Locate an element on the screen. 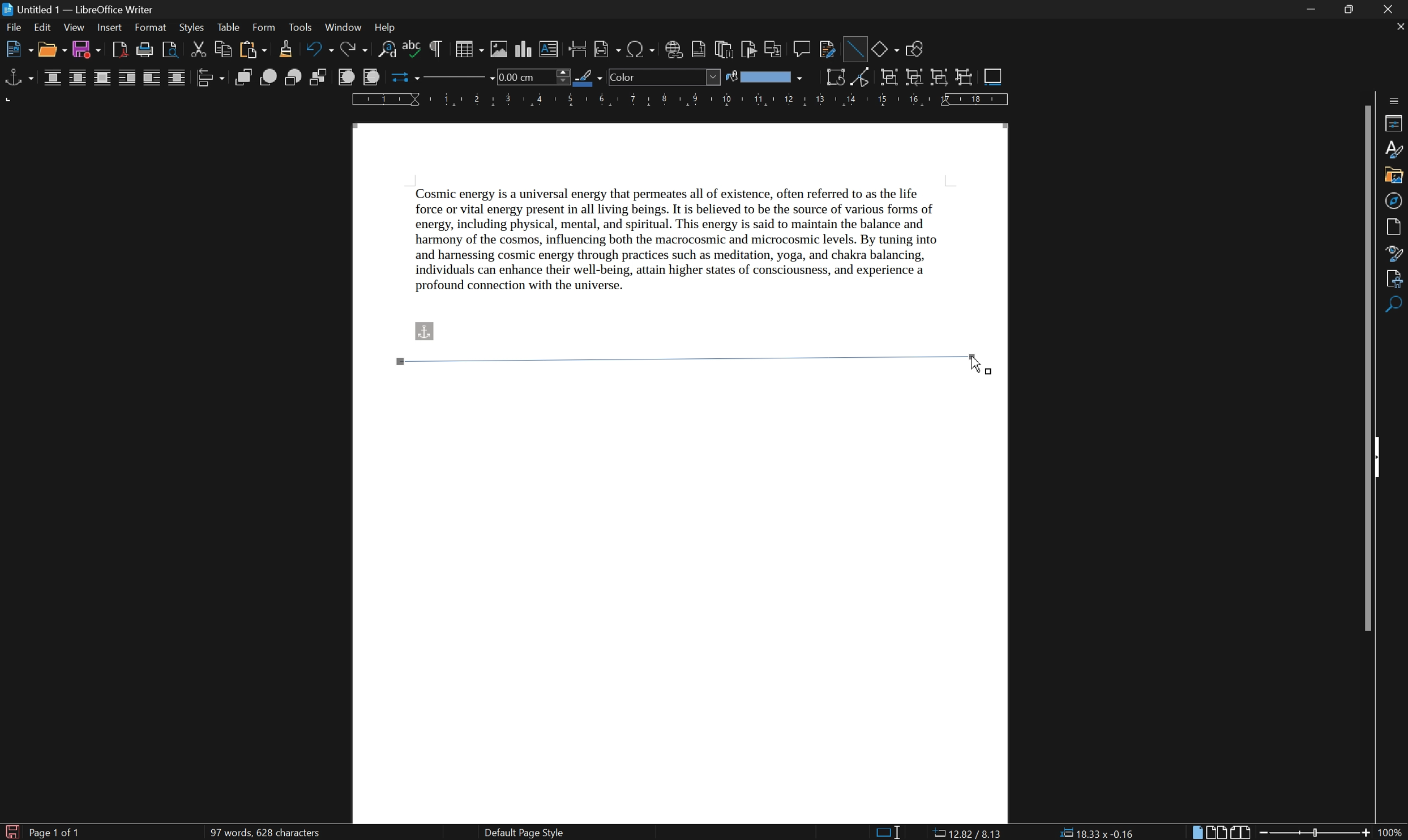  area style is located at coordinates (665, 77).